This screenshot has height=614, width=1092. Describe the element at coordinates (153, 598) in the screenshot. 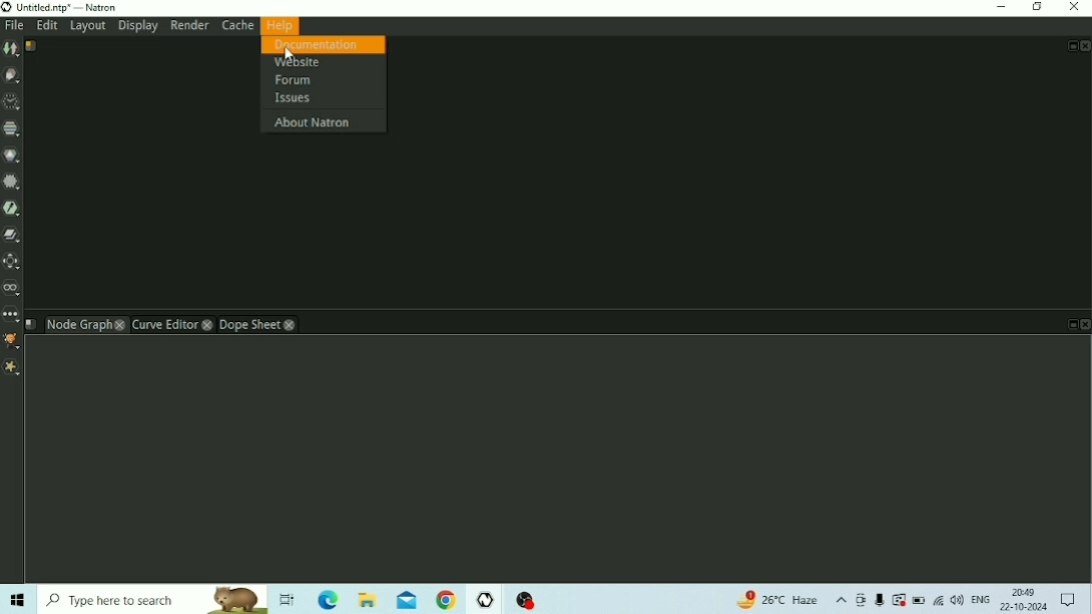

I see `Type here to search` at that location.